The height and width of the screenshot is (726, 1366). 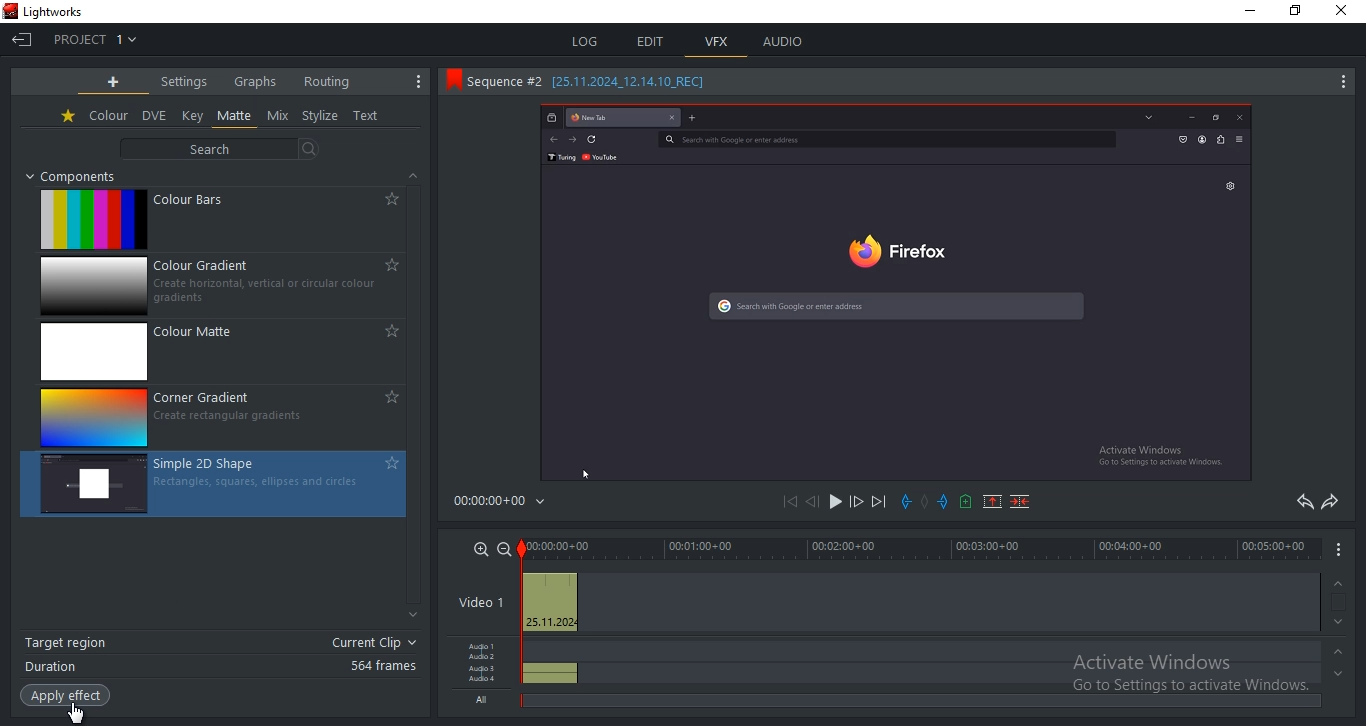 I want to click on matte, so click(x=235, y=116).